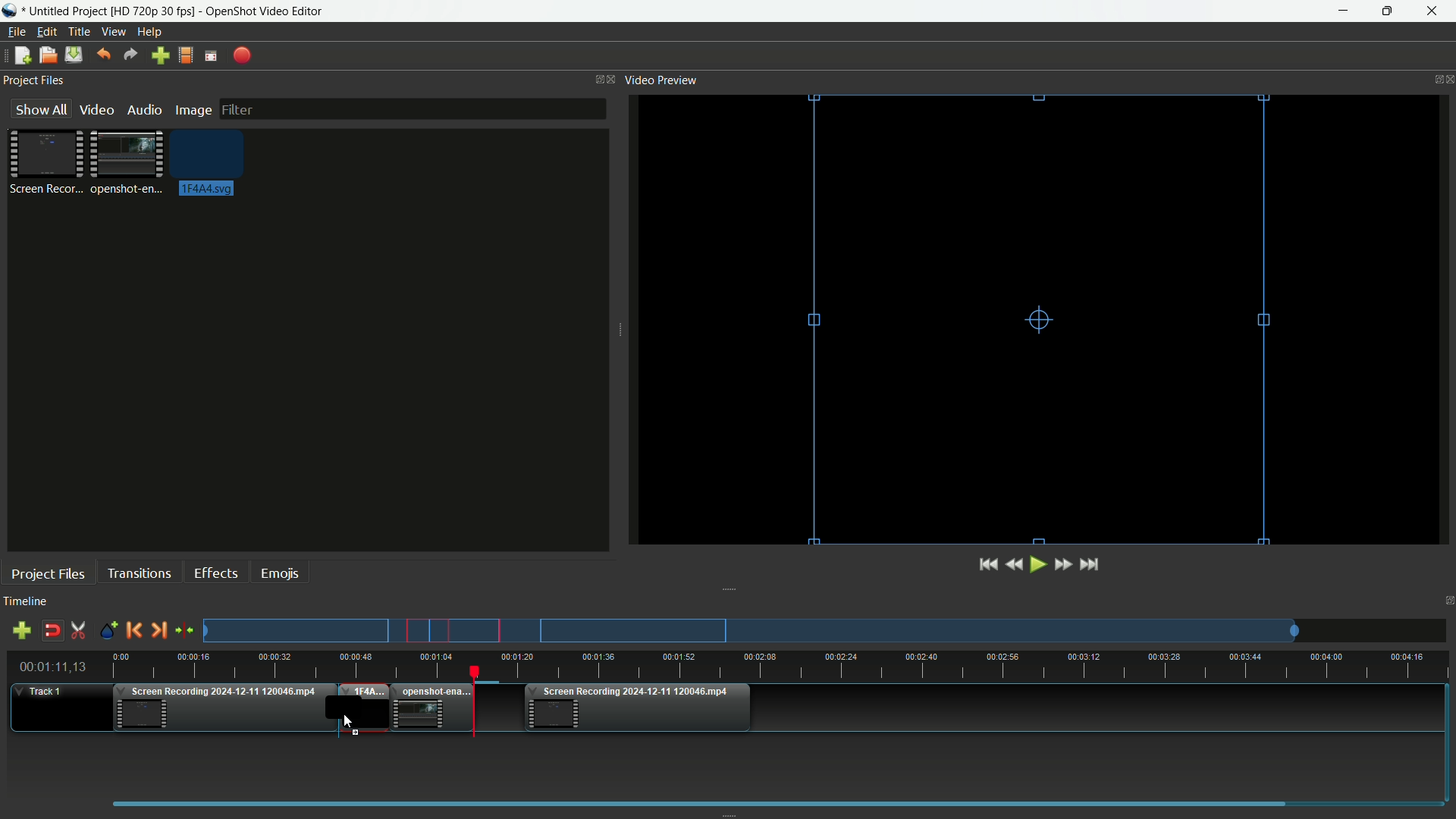  What do you see at coordinates (101, 55) in the screenshot?
I see `Undo` at bounding box center [101, 55].